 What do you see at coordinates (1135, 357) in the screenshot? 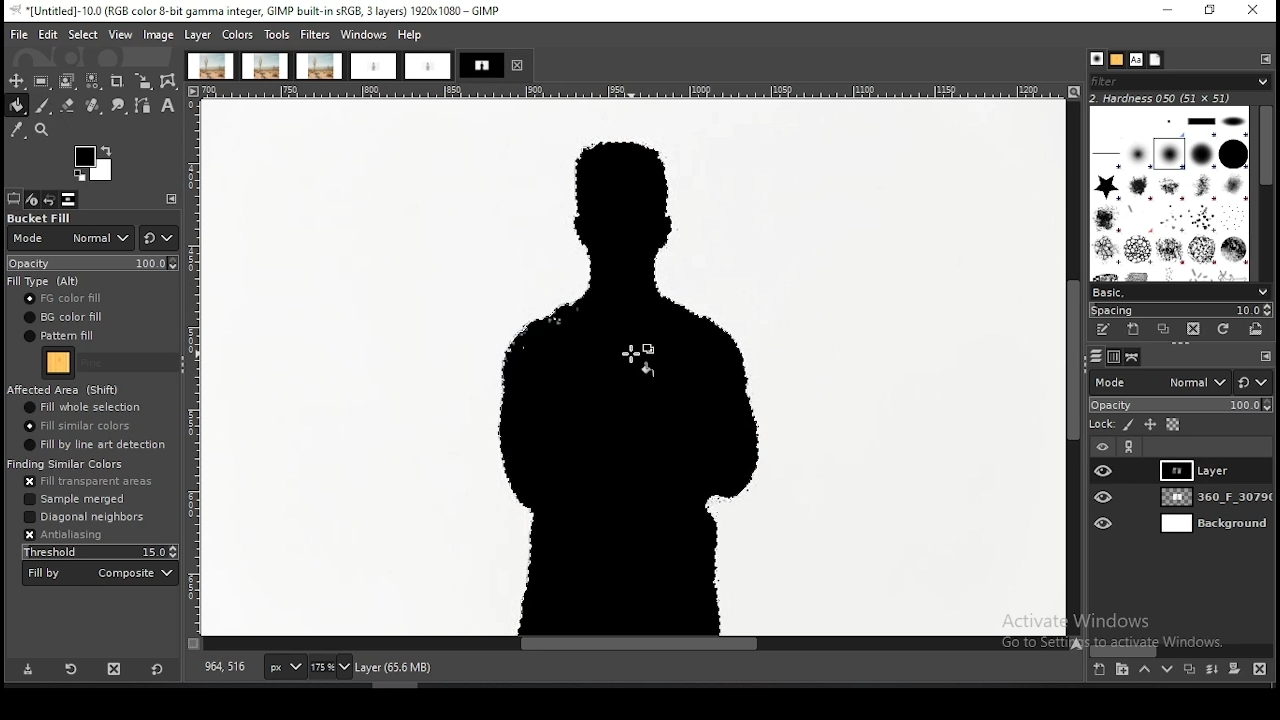
I see `paths` at bounding box center [1135, 357].